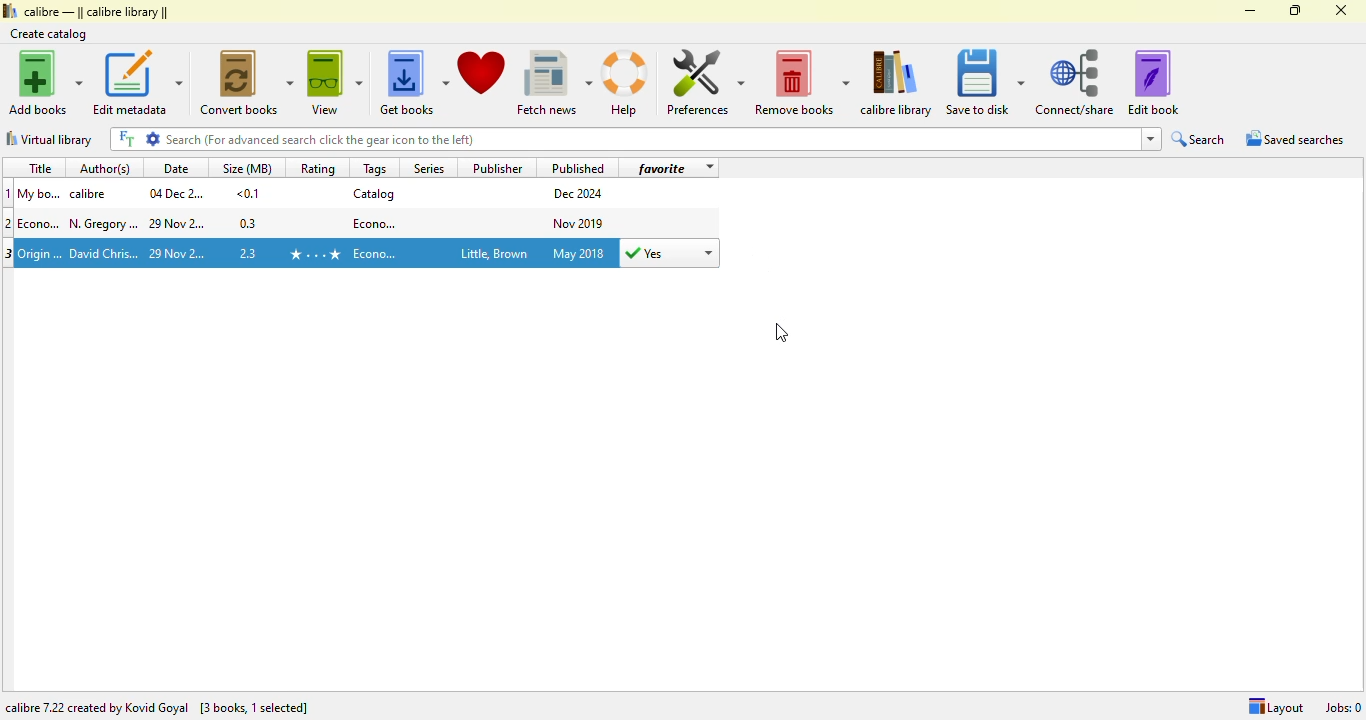 The image size is (1366, 720). What do you see at coordinates (375, 168) in the screenshot?
I see `tags` at bounding box center [375, 168].